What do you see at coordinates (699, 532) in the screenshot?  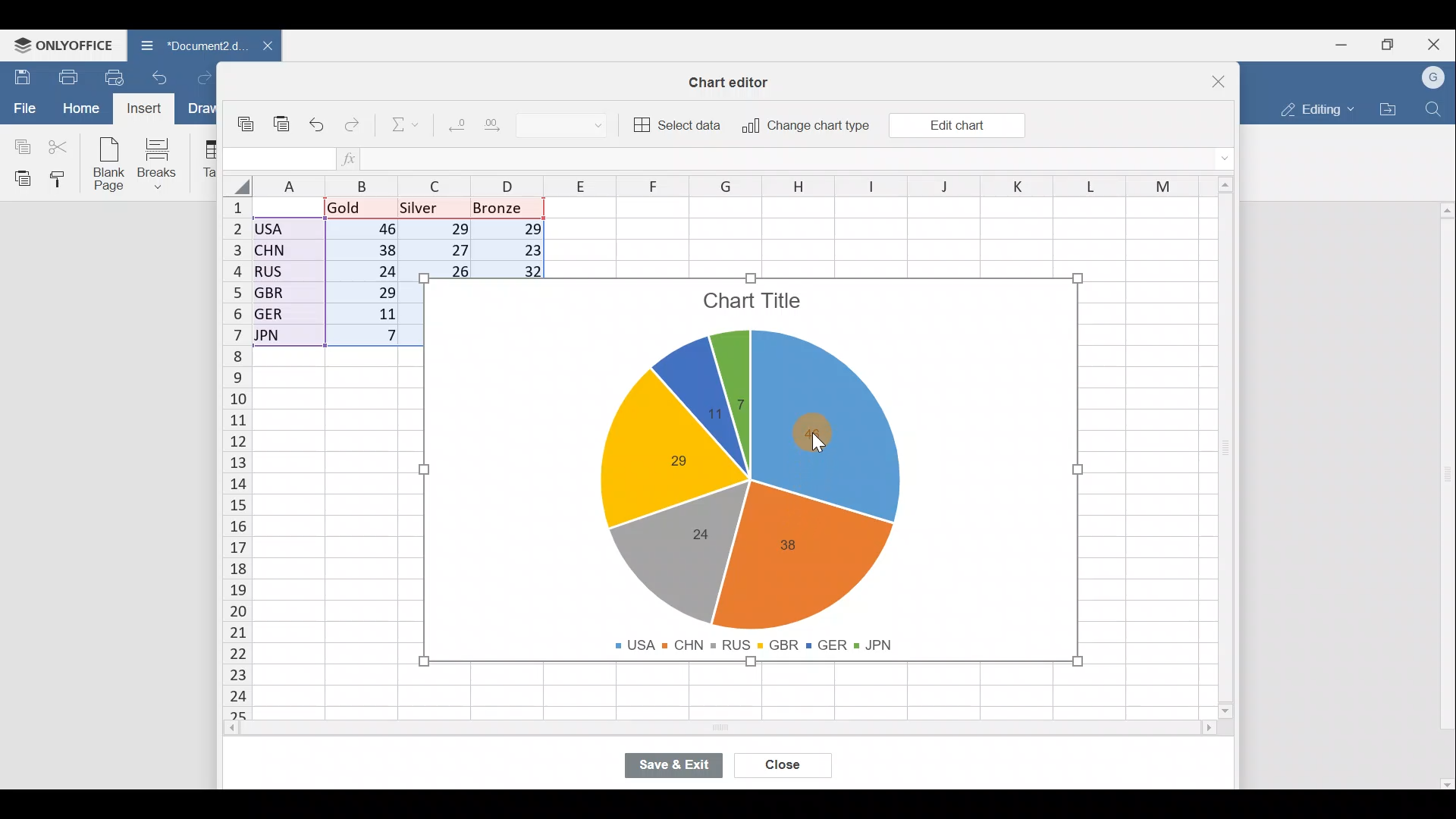 I see `Chart label` at bounding box center [699, 532].